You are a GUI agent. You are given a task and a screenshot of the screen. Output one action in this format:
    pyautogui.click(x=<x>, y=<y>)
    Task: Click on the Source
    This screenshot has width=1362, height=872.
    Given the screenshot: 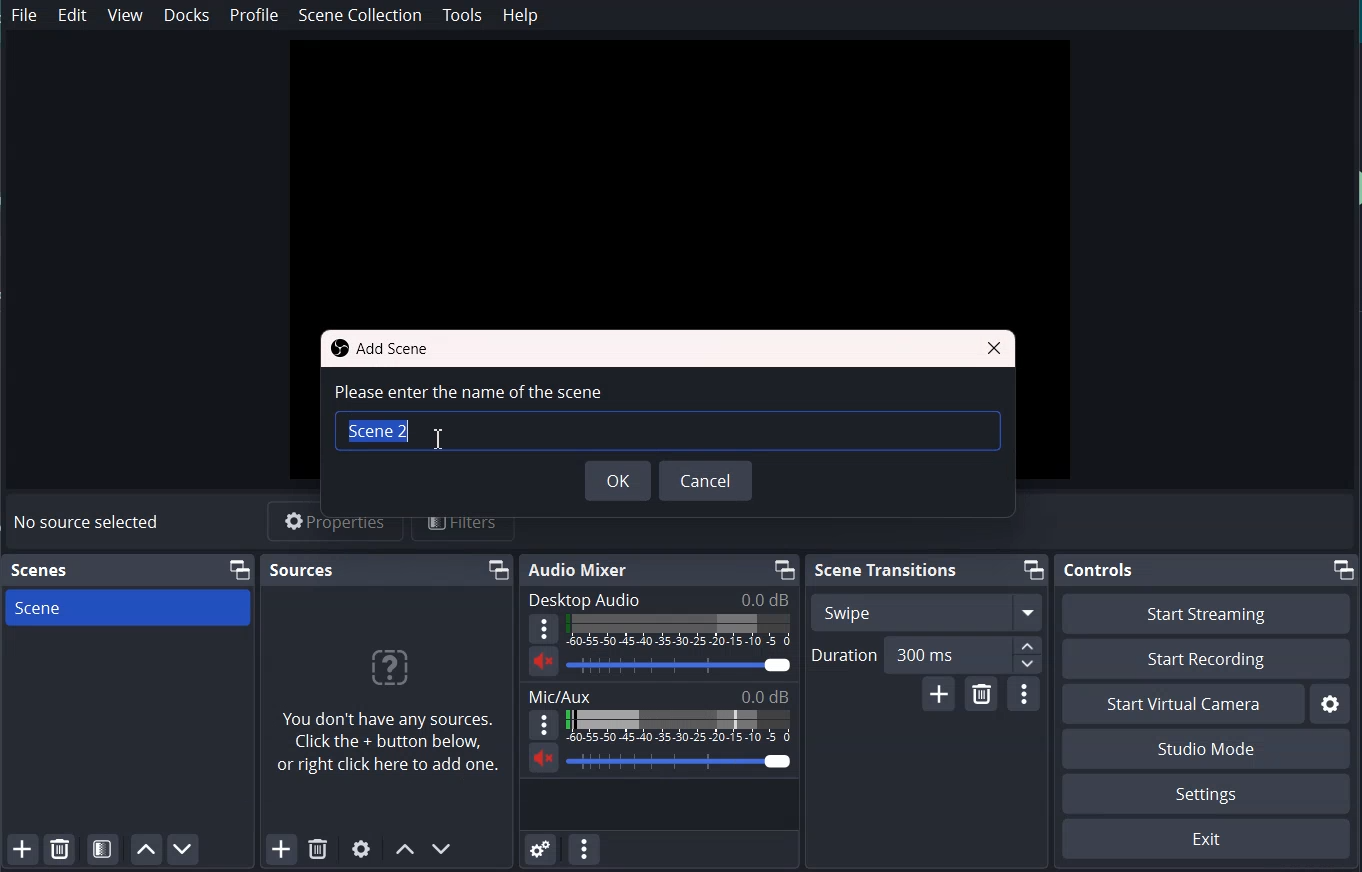 What is the action you would take?
    pyautogui.click(x=302, y=569)
    